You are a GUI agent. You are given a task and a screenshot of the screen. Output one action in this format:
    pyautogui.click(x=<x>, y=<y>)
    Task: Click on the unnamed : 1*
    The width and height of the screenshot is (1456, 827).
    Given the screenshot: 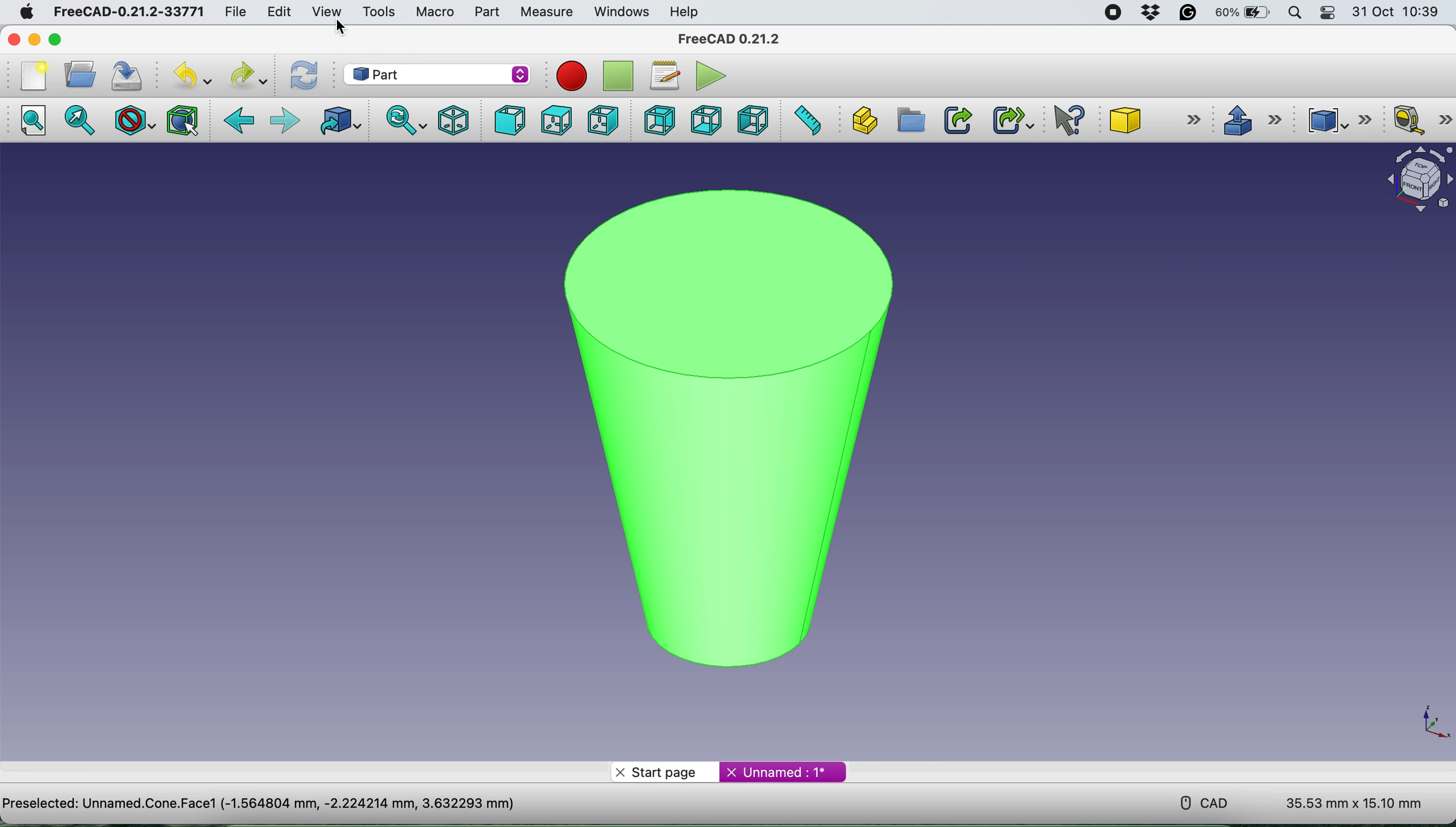 What is the action you would take?
    pyautogui.click(x=783, y=770)
    